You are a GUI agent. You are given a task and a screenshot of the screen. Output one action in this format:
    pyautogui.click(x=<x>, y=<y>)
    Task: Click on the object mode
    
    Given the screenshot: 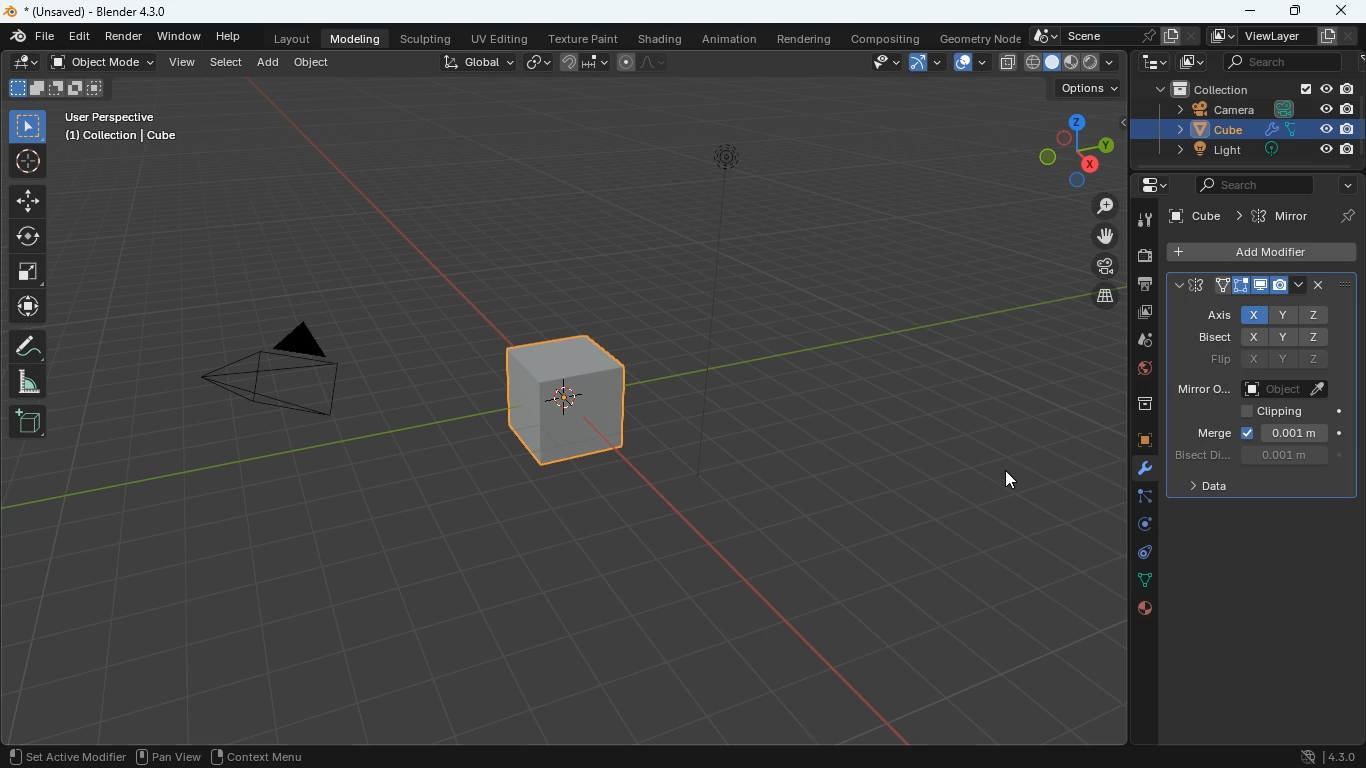 What is the action you would take?
    pyautogui.click(x=105, y=64)
    